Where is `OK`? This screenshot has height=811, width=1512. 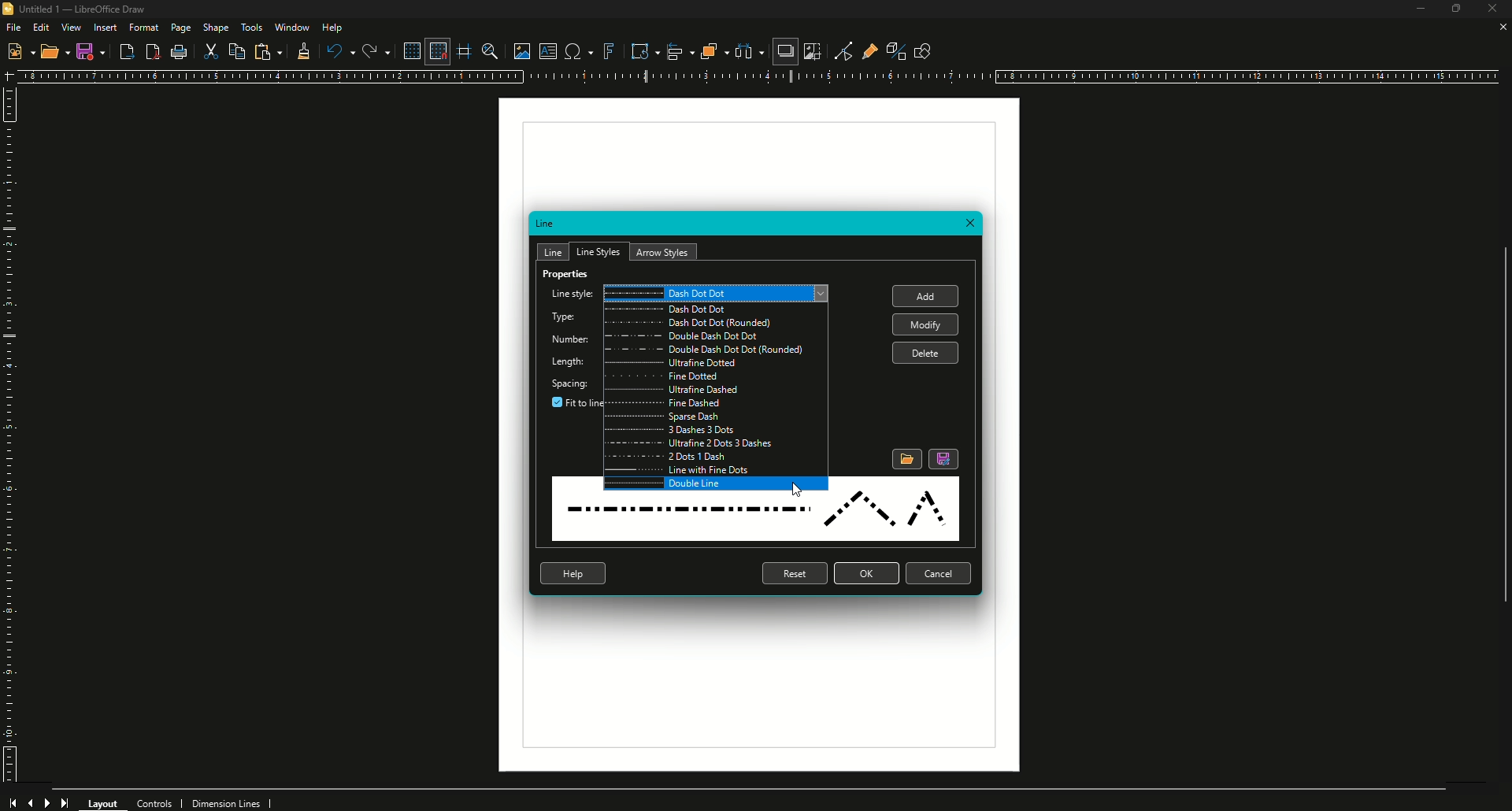
OK is located at coordinates (866, 573).